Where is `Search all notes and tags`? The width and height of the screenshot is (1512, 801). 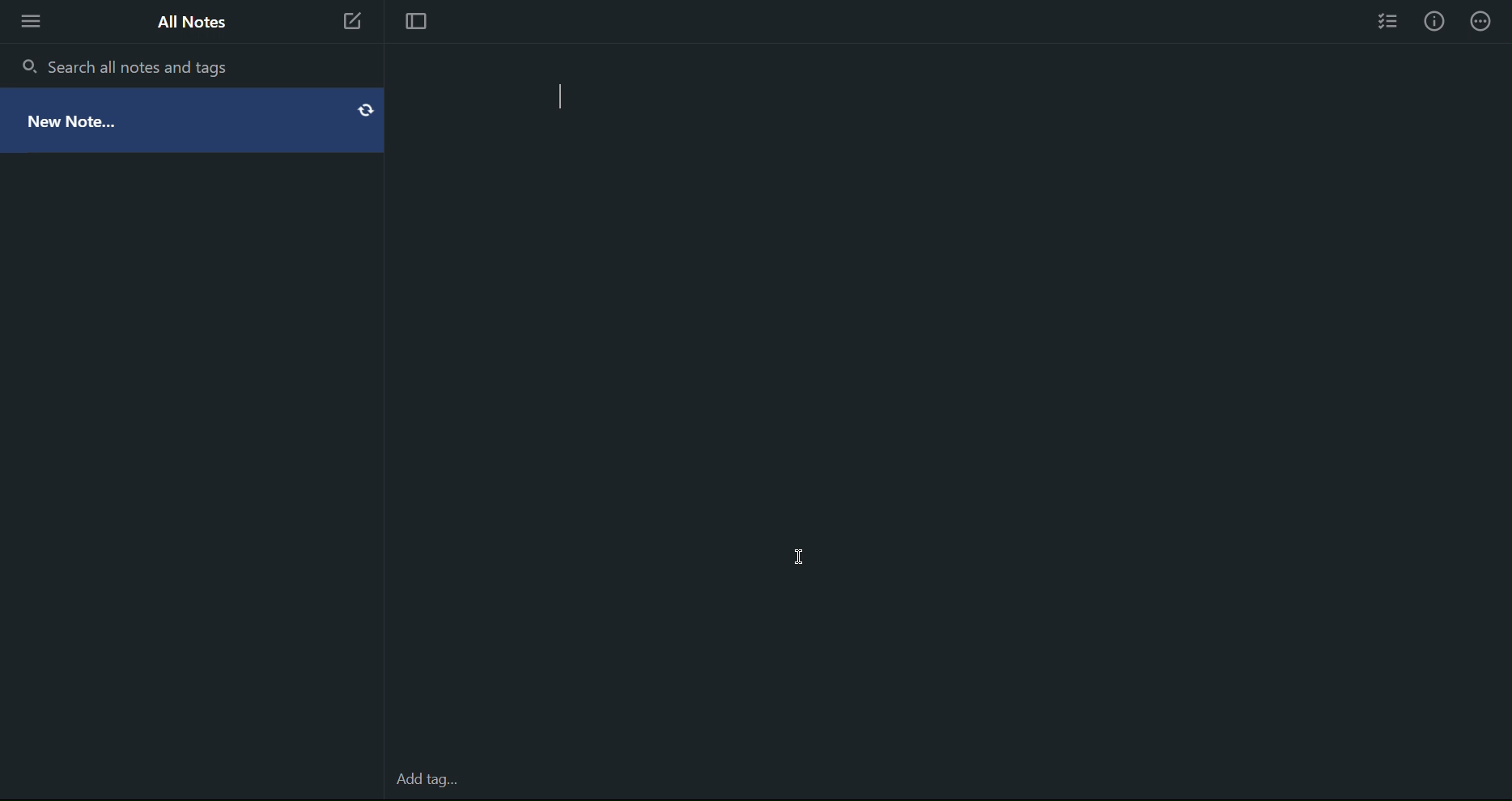 Search all notes and tags is located at coordinates (141, 65).